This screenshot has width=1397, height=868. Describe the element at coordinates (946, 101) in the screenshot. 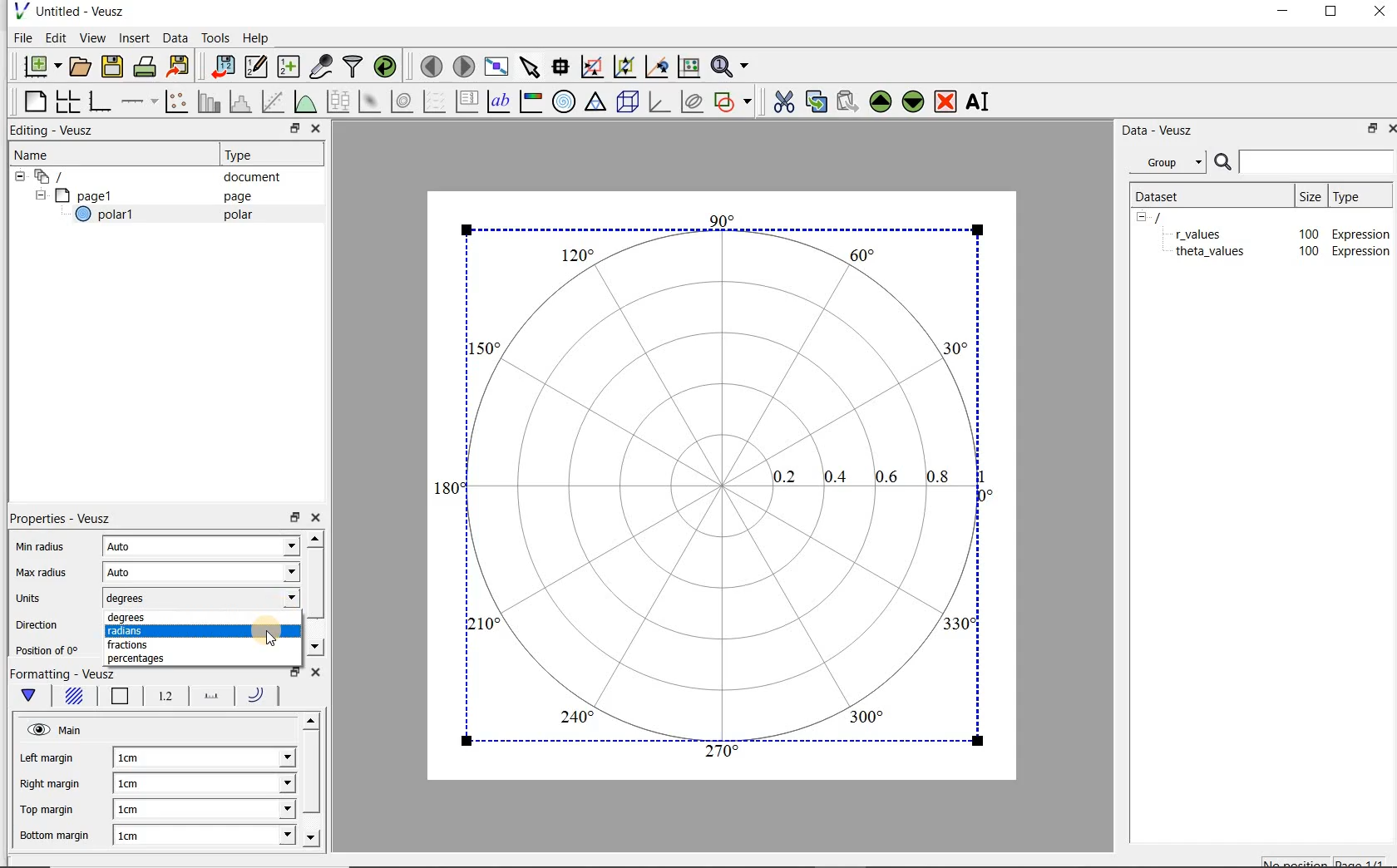

I see `remove the selected widget` at that location.